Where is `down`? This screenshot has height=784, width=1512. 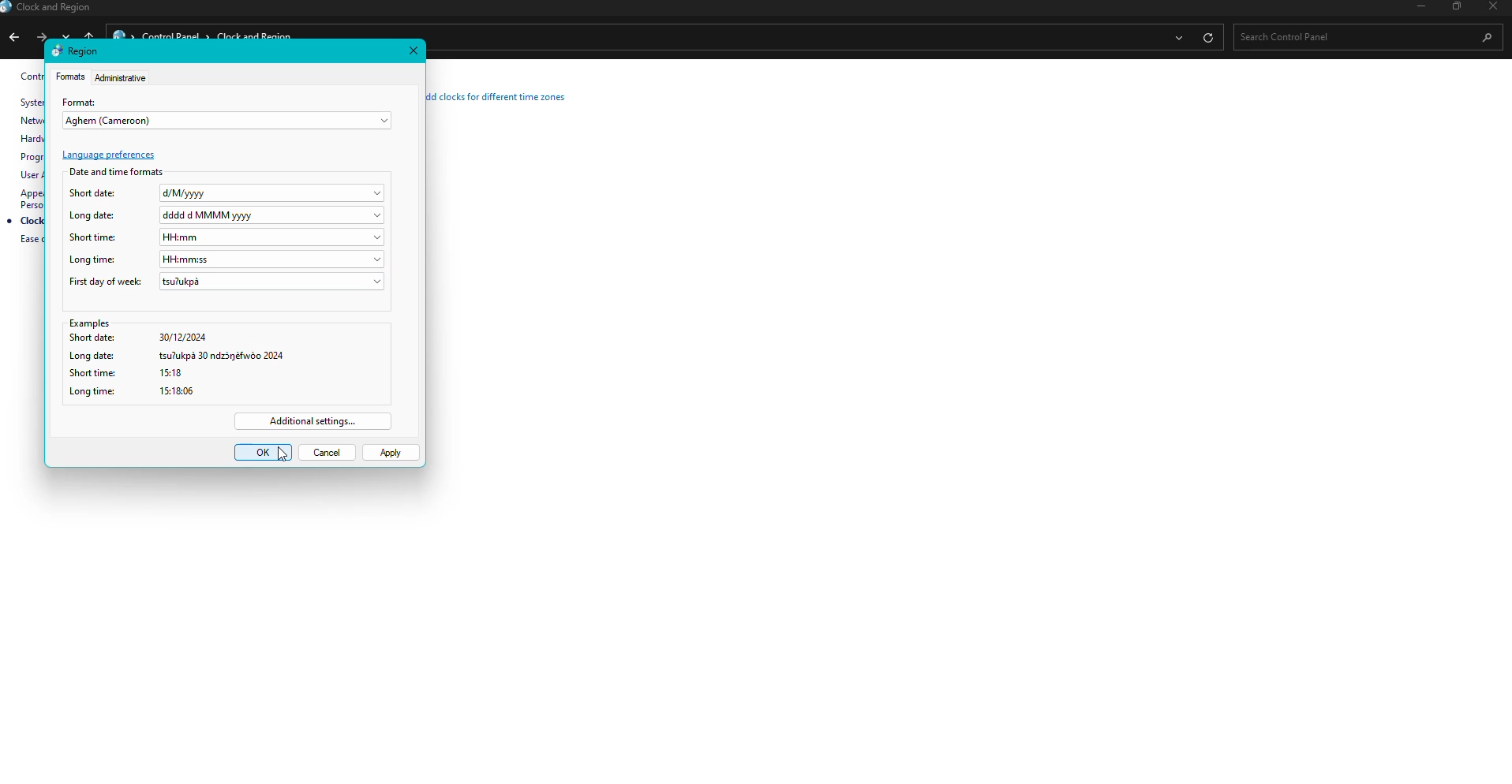 down is located at coordinates (69, 34).